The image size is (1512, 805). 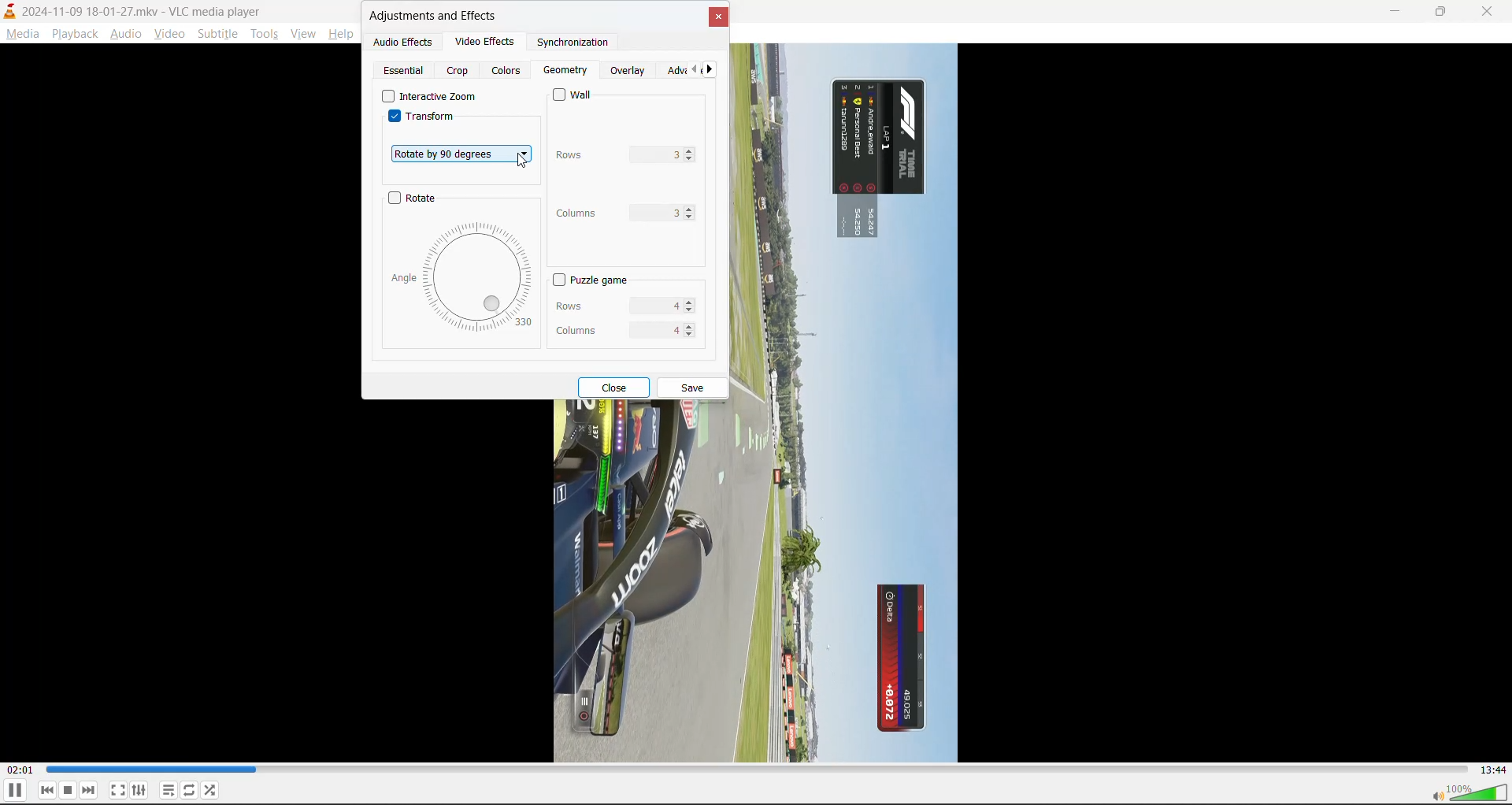 What do you see at coordinates (578, 95) in the screenshot?
I see `wall` at bounding box center [578, 95].